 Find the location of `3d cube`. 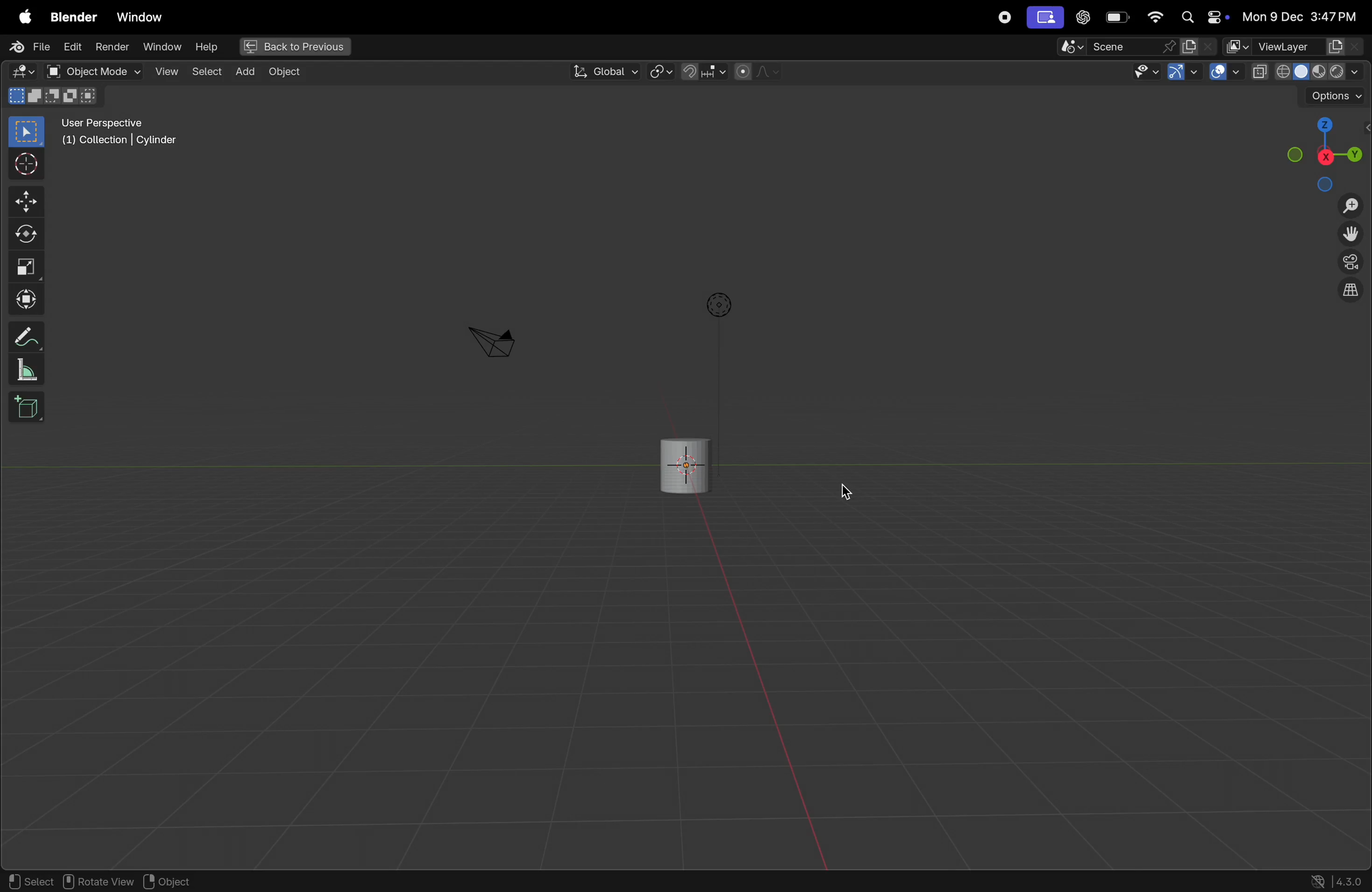

3d cube is located at coordinates (27, 407).